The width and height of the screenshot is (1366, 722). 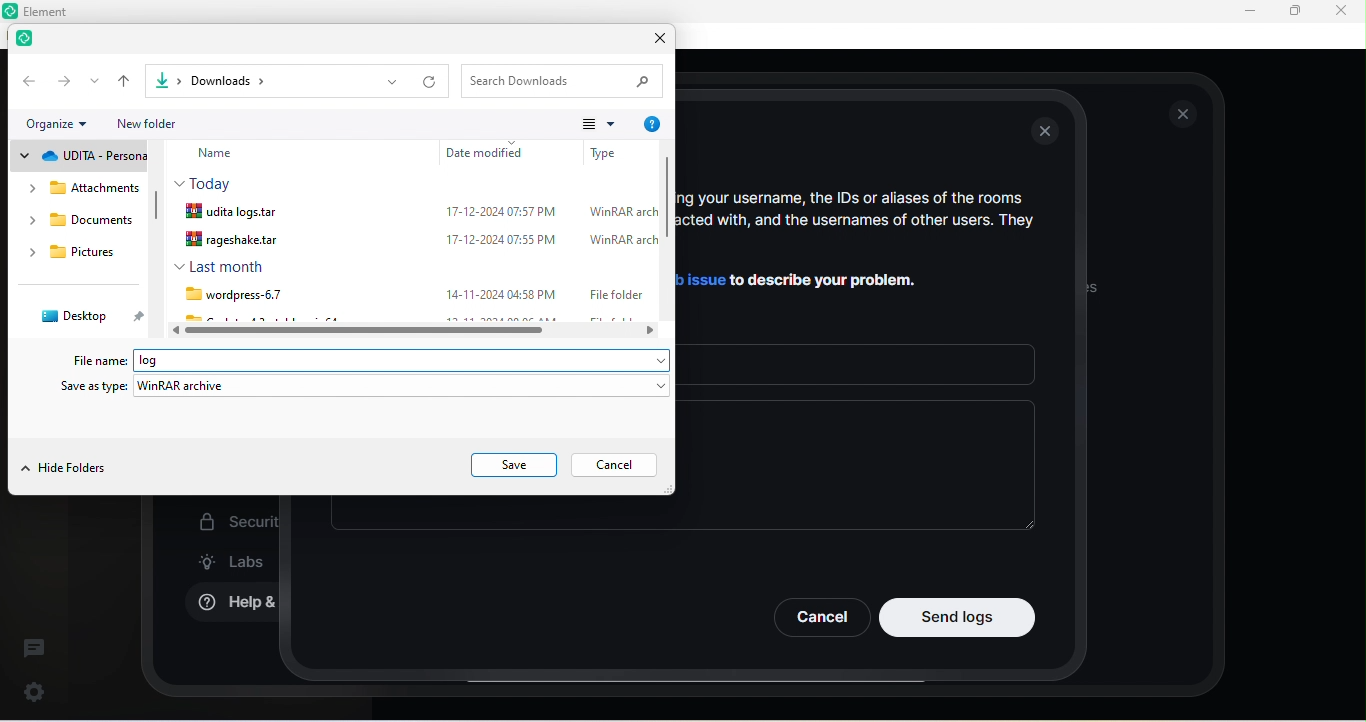 What do you see at coordinates (432, 82) in the screenshot?
I see `refresh` at bounding box center [432, 82].